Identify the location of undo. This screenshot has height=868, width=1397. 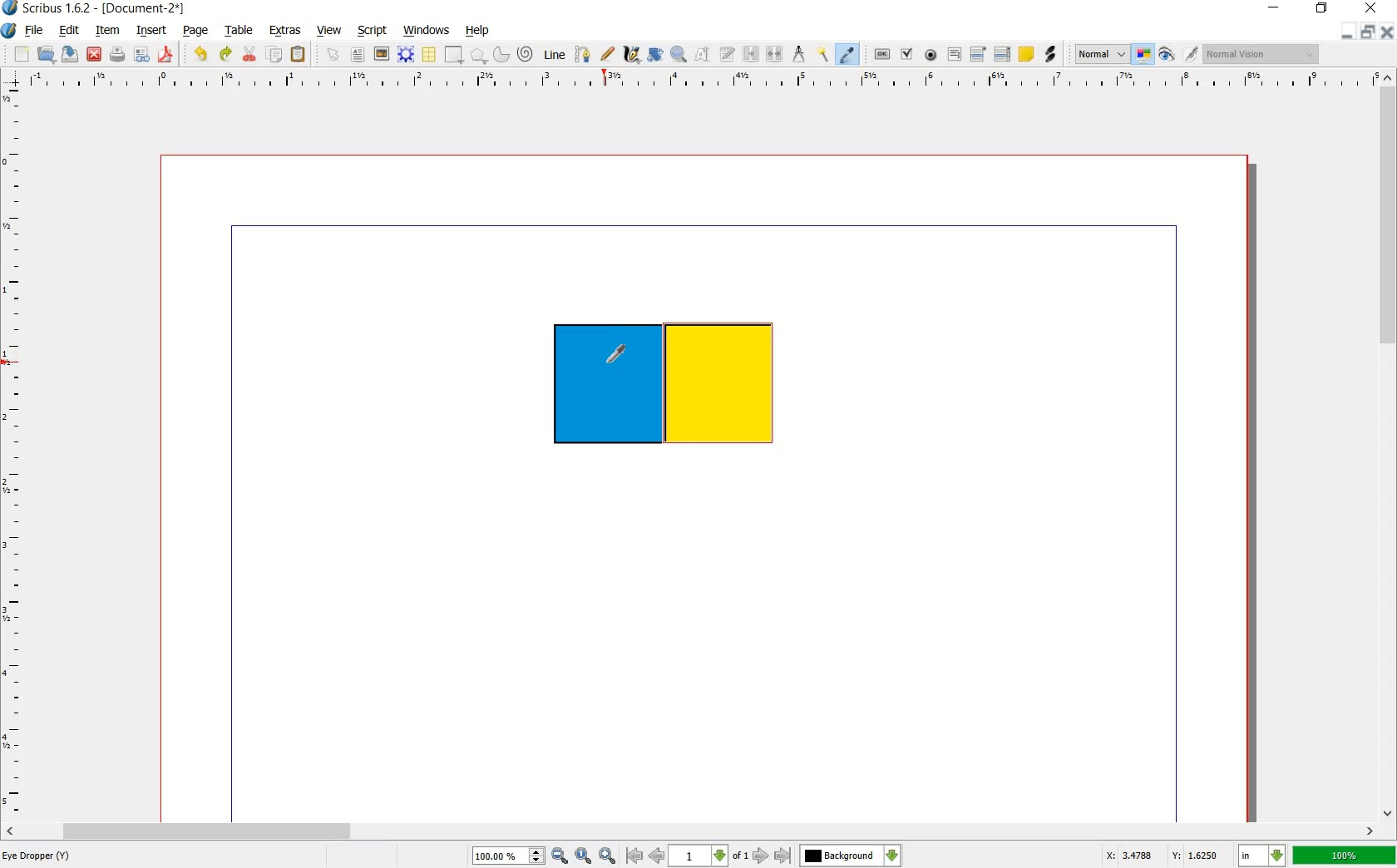
(200, 56).